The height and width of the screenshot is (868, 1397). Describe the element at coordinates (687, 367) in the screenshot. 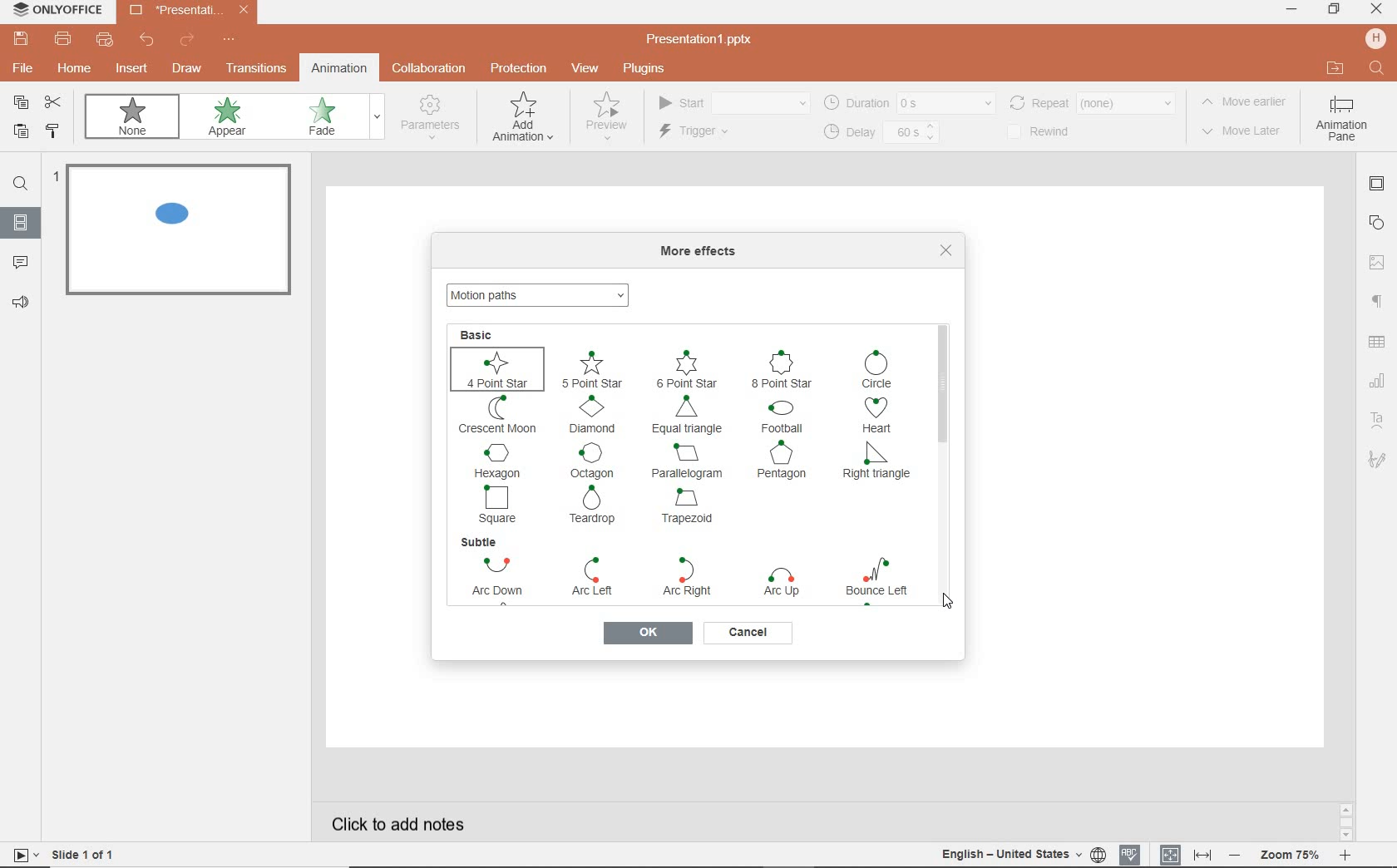

I see `6 POINT STAR` at that location.